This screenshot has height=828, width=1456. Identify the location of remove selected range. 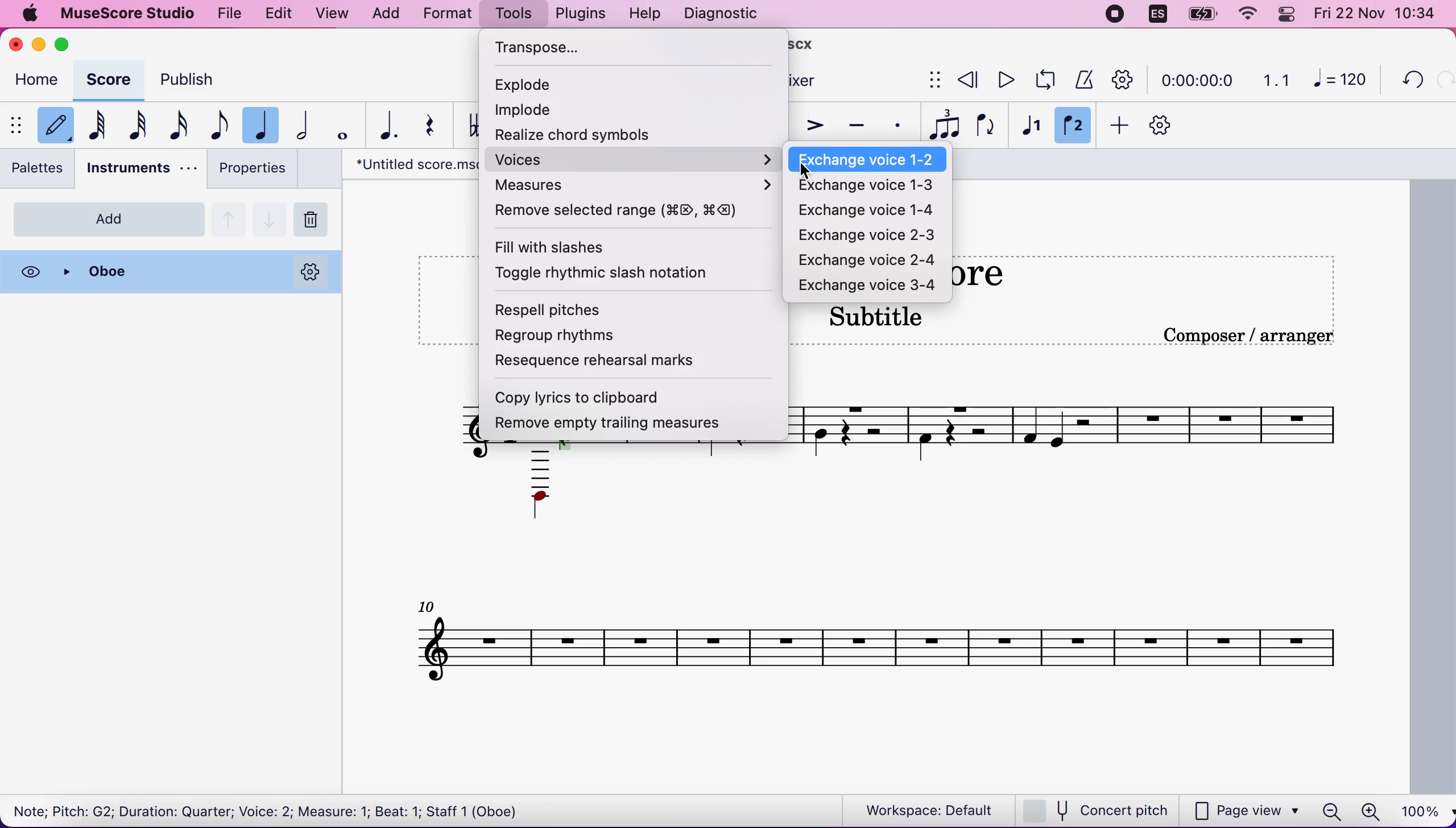
(624, 213).